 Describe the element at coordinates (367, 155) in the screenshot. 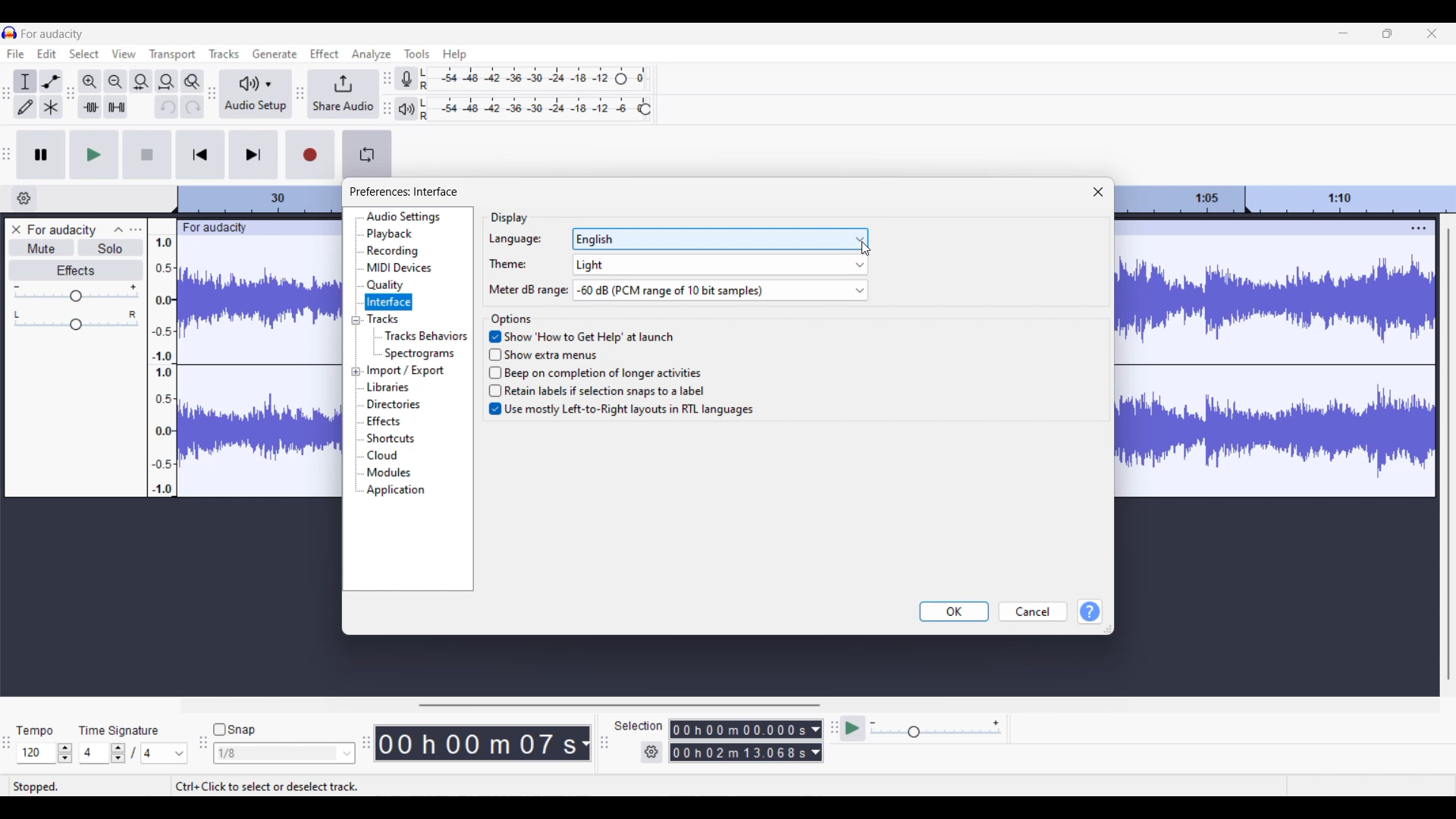

I see `Enable looping` at that location.